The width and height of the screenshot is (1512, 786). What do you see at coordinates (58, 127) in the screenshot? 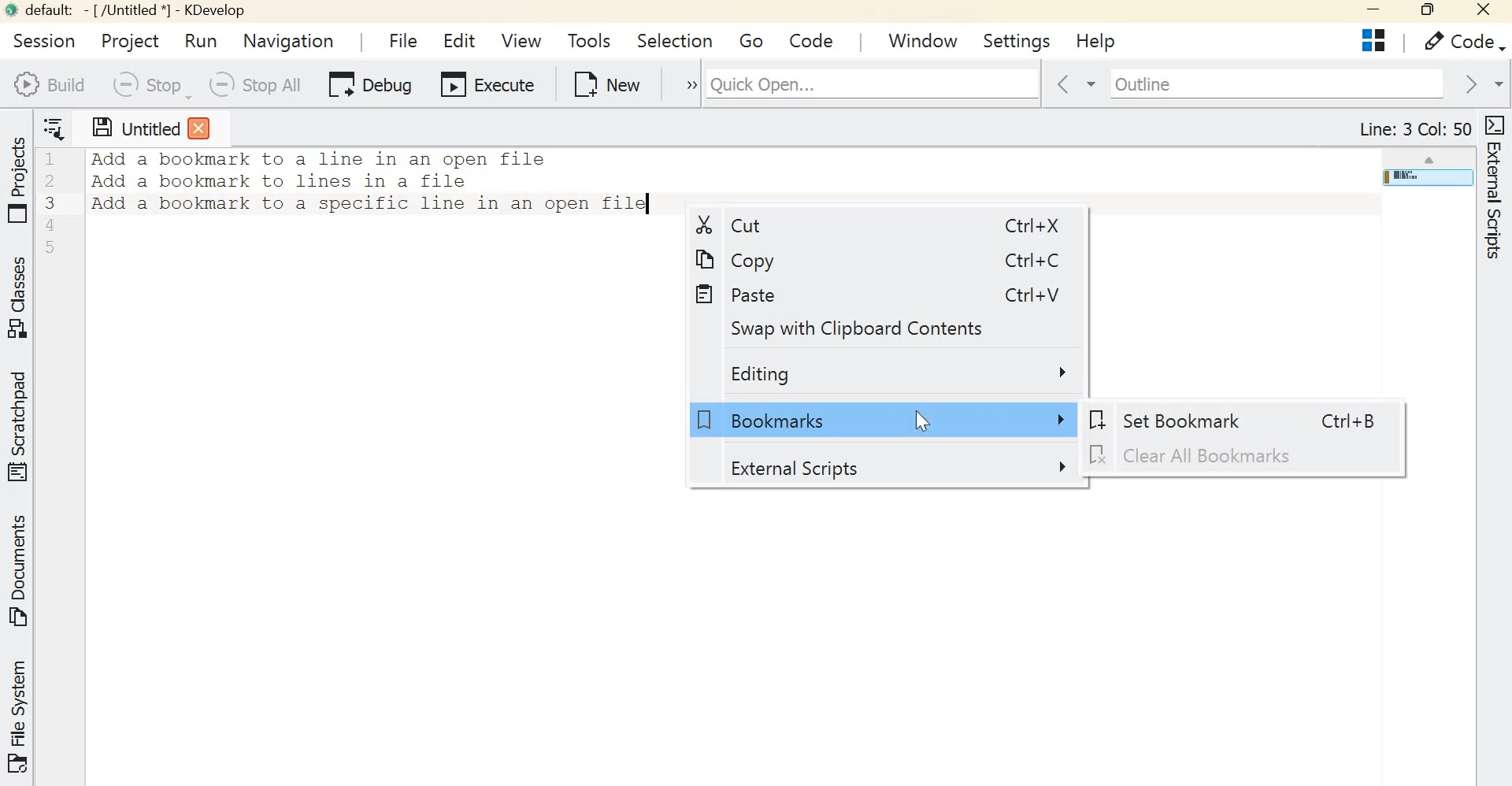
I see `Show sorted list of open documents` at bounding box center [58, 127].